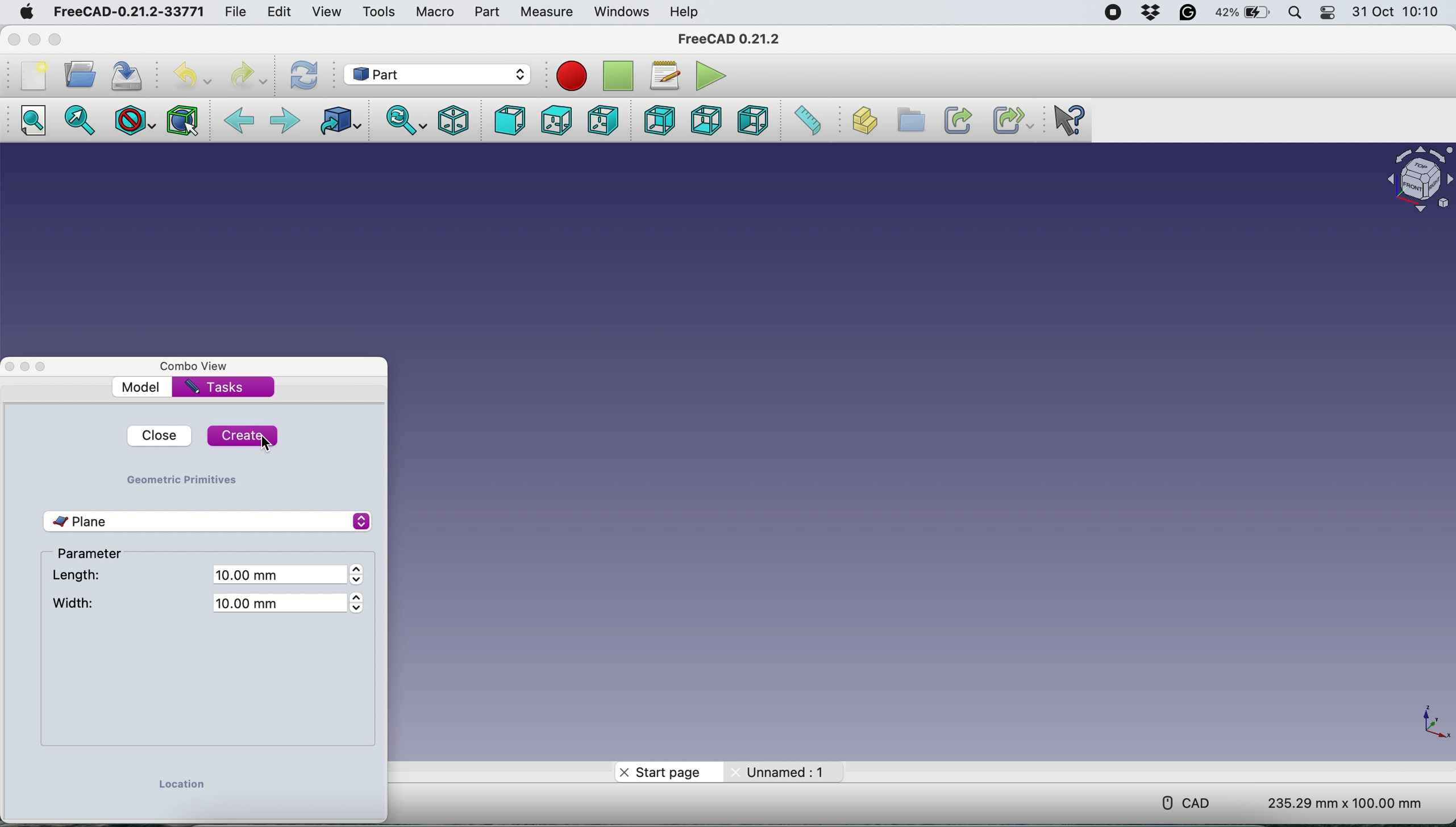  I want to click on Dropbox, so click(1153, 13).